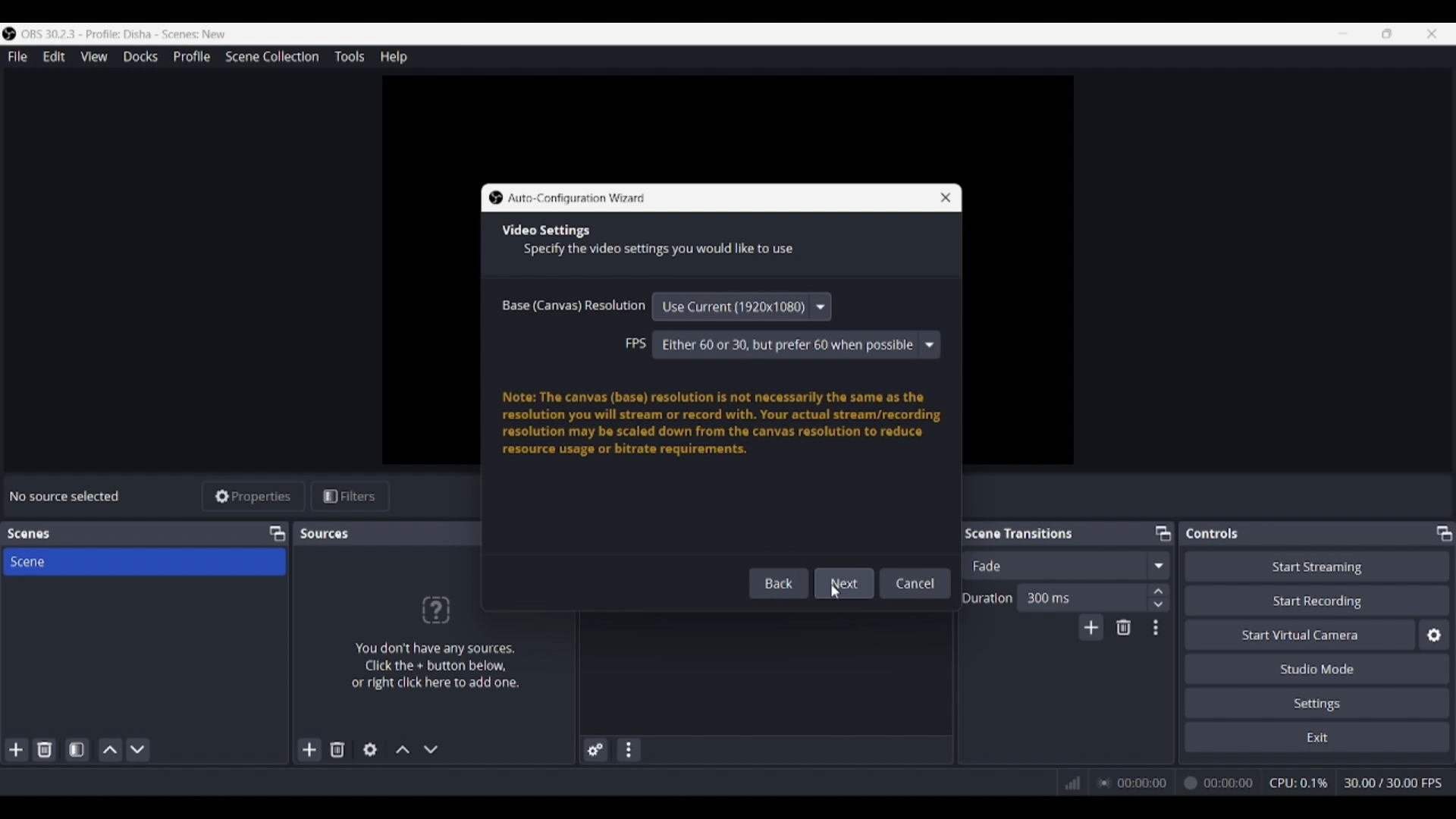  Describe the element at coordinates (1299, 783) in the screenshot. I see `CPU` at that location.